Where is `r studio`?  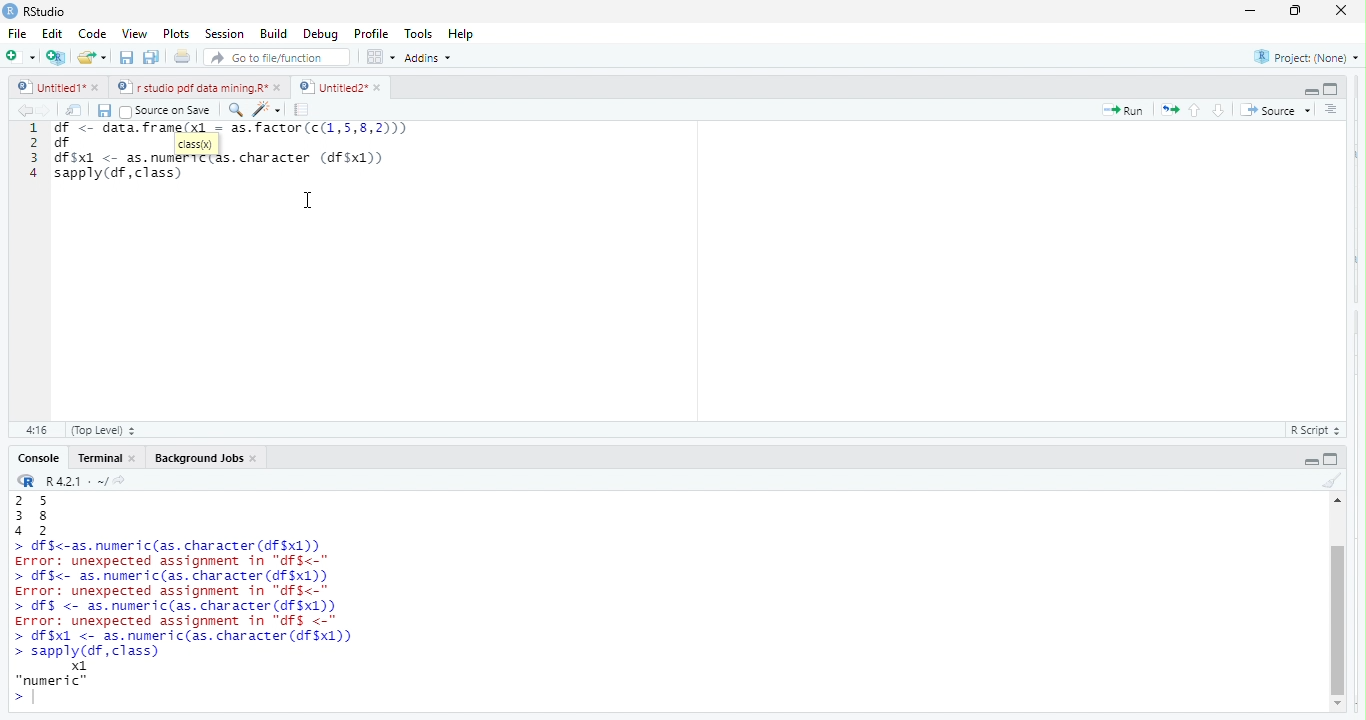 r studio is located at coordinates (46, 11).